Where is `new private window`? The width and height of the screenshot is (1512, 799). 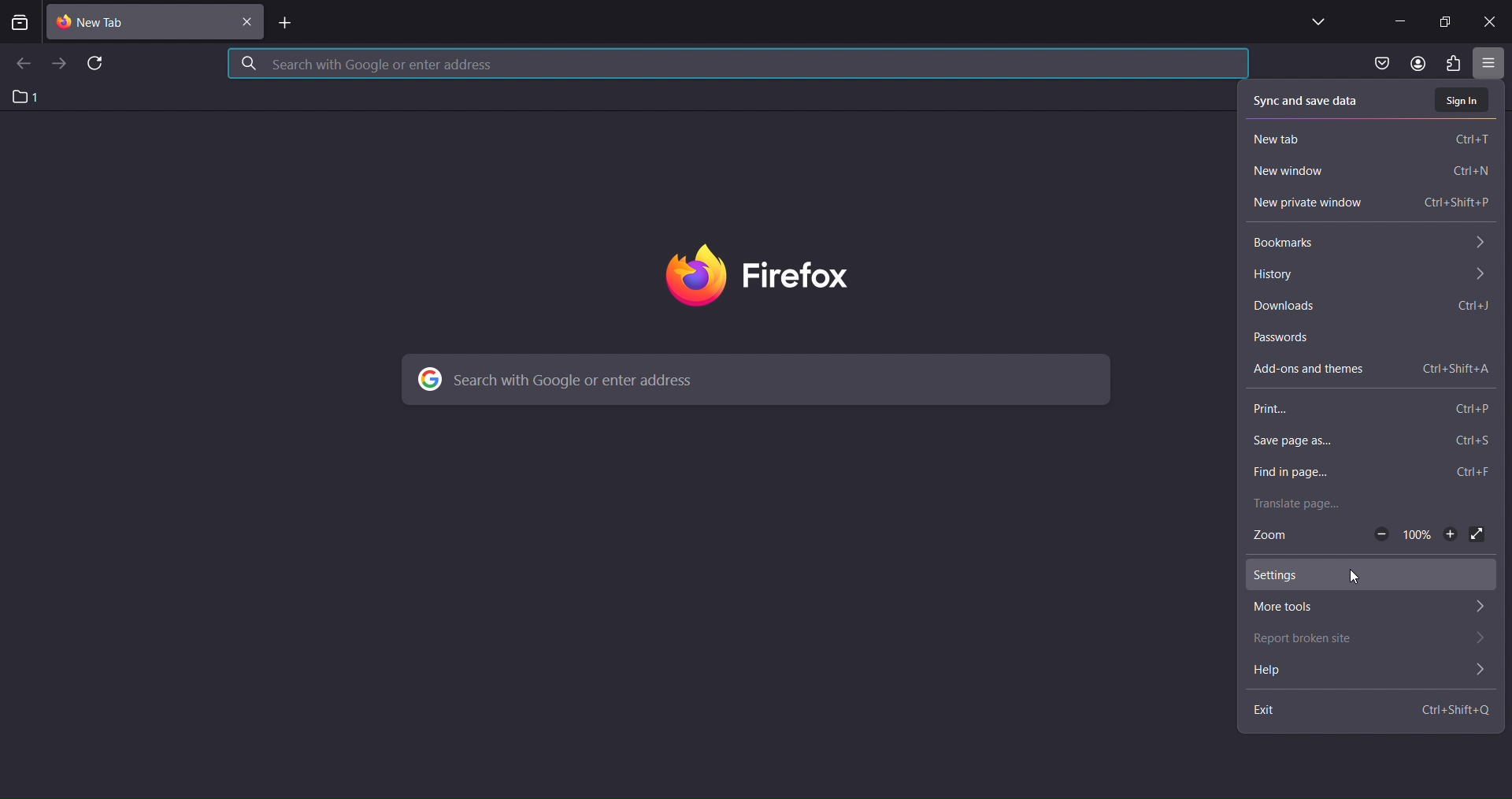 new private window is located at coordinates (1373, 202).